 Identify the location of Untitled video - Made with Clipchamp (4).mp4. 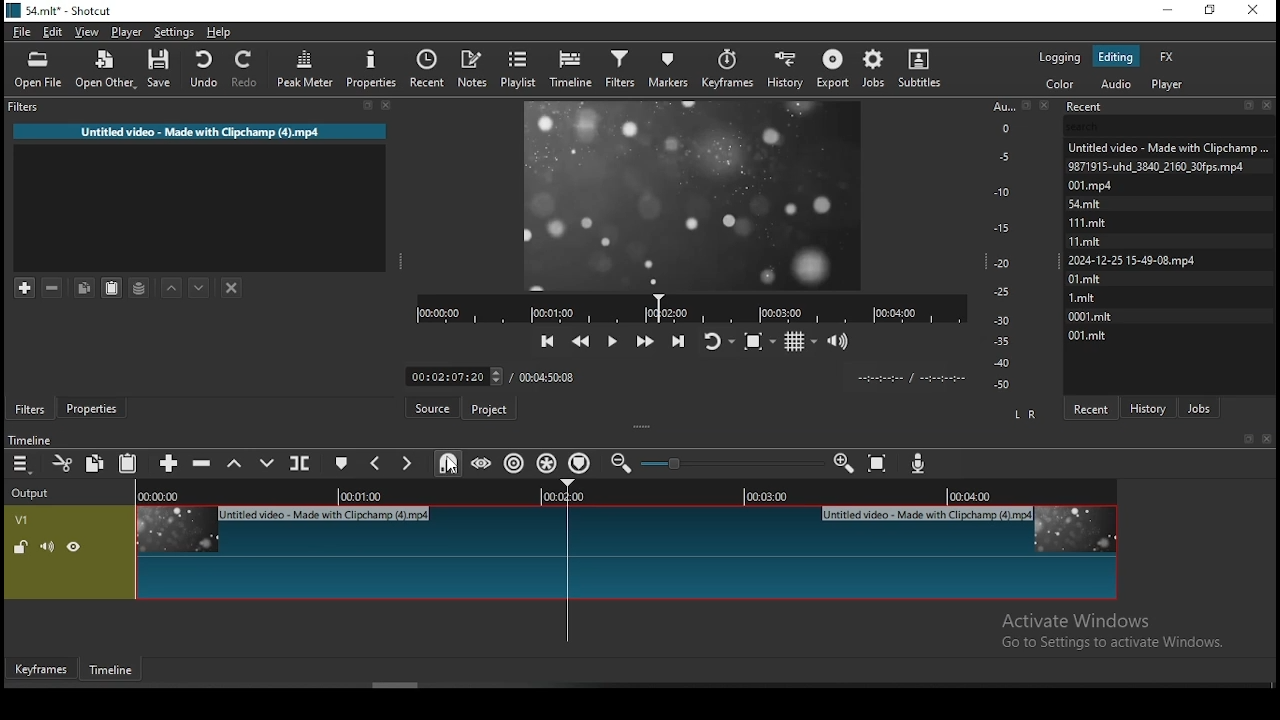
(200, 132).